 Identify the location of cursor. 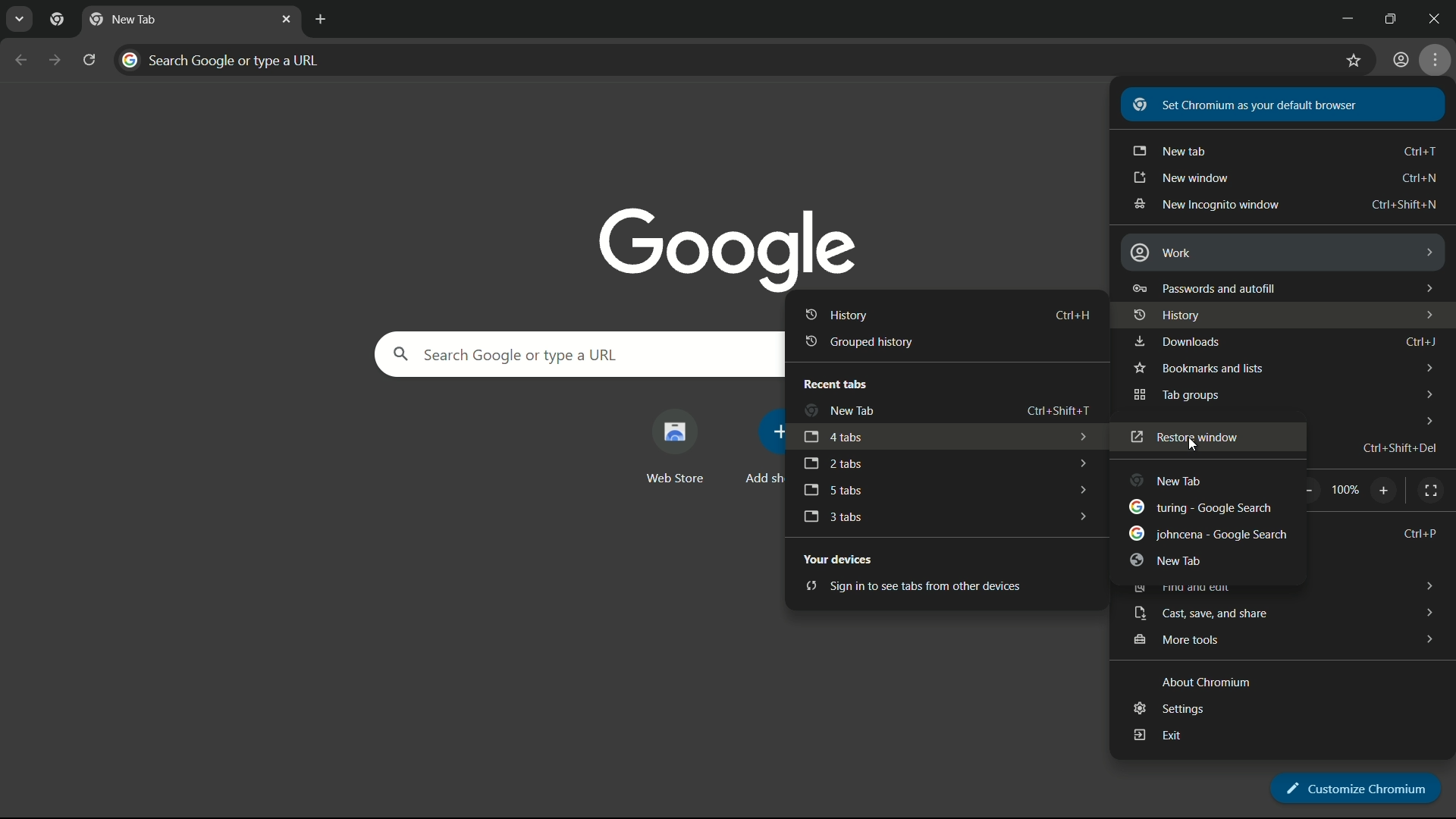
(1192, 445).